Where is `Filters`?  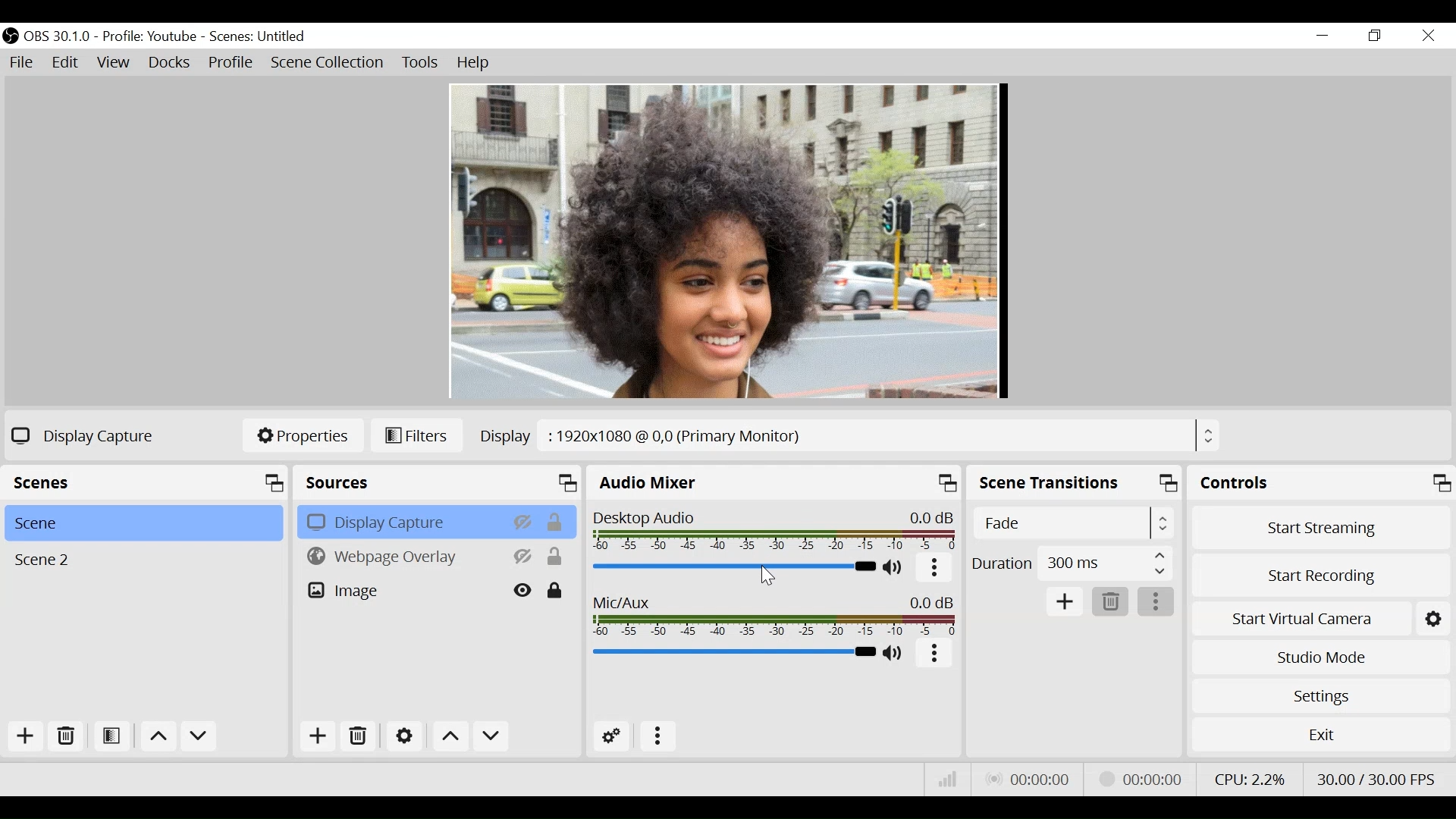 Filters is located at coordinates (416, 436).